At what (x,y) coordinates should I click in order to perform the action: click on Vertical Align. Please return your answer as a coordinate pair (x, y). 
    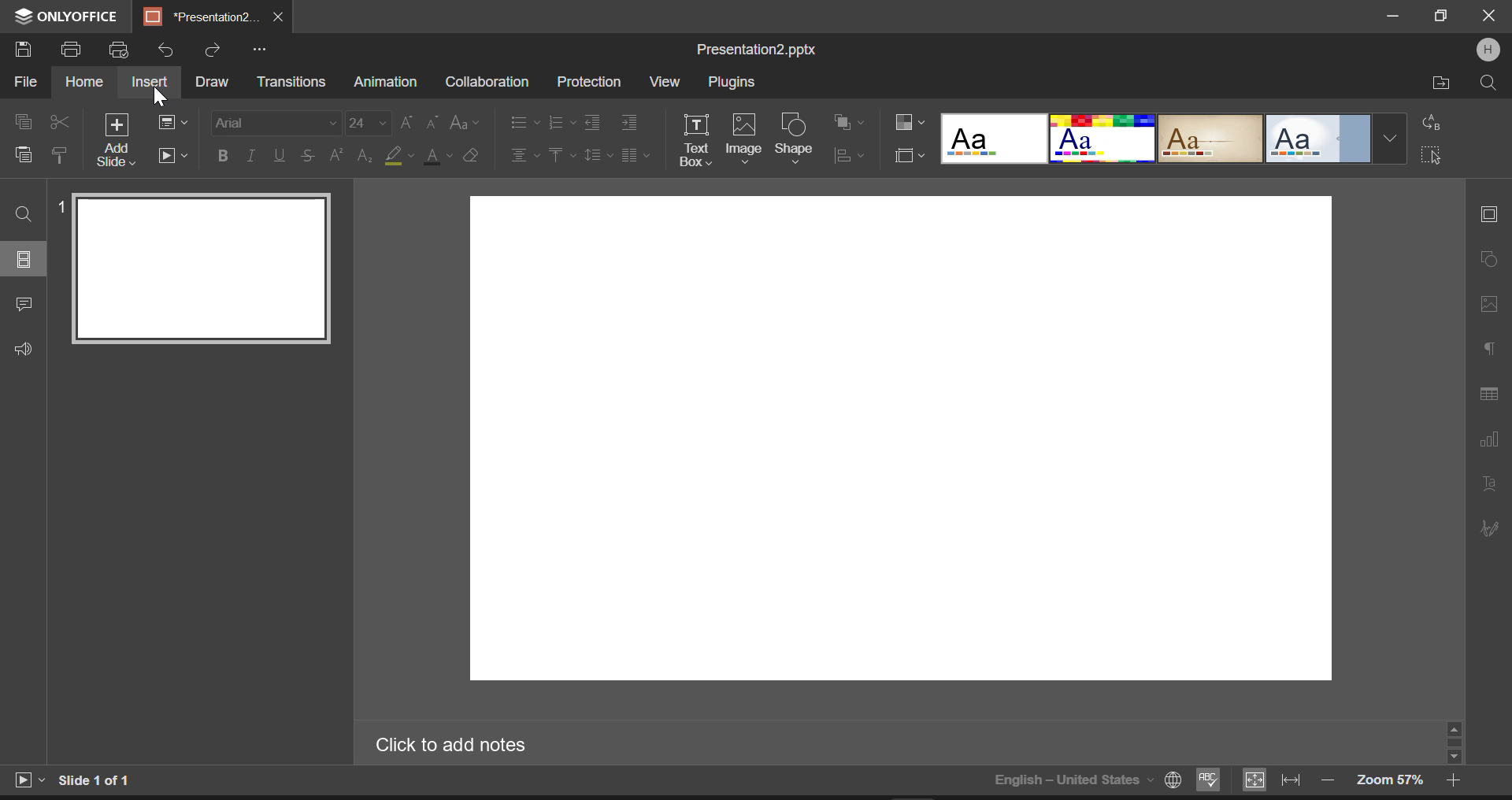
    Looking at the image, I should click on (561, 154).